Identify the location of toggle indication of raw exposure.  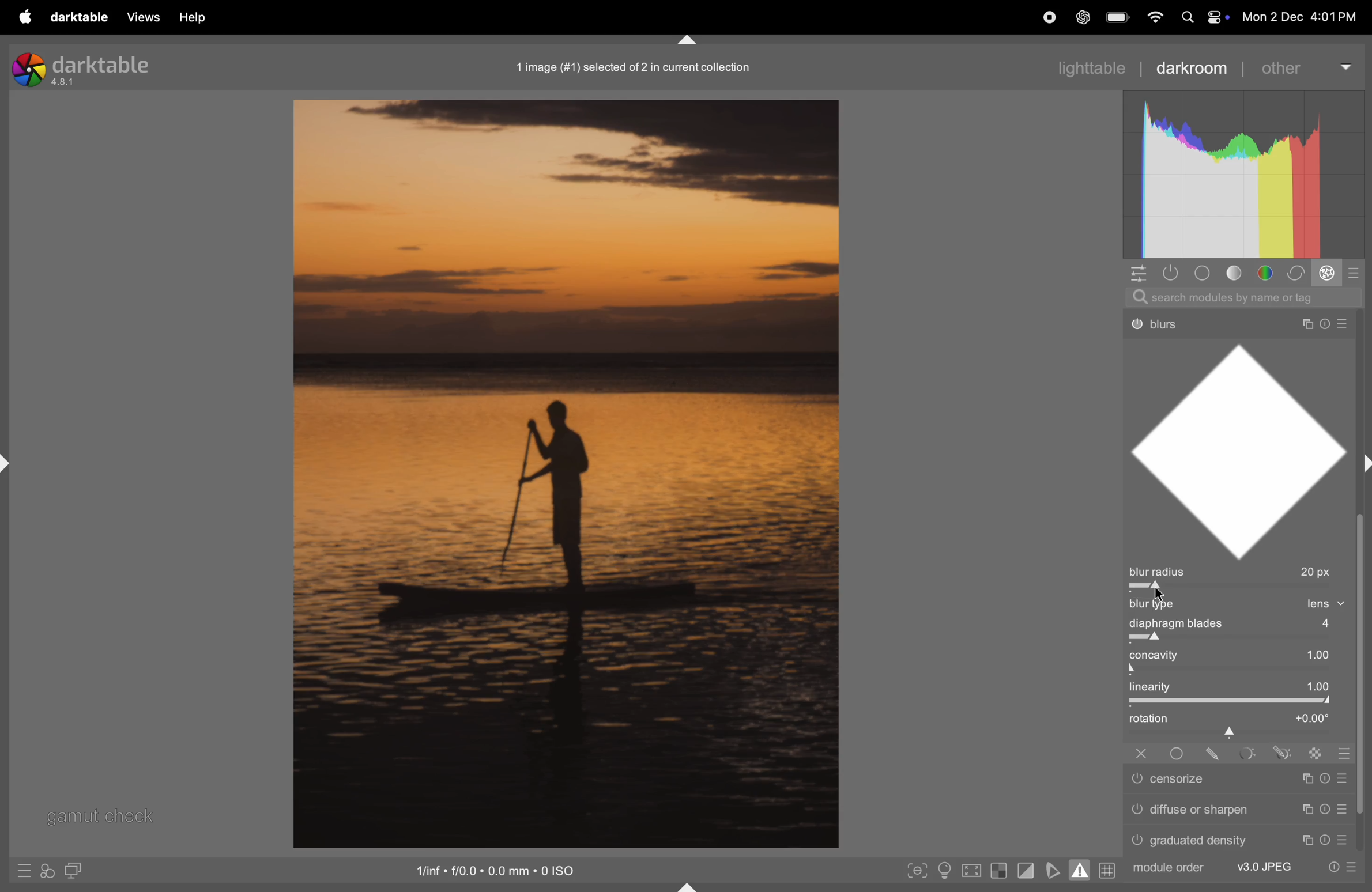
(1000, 871).